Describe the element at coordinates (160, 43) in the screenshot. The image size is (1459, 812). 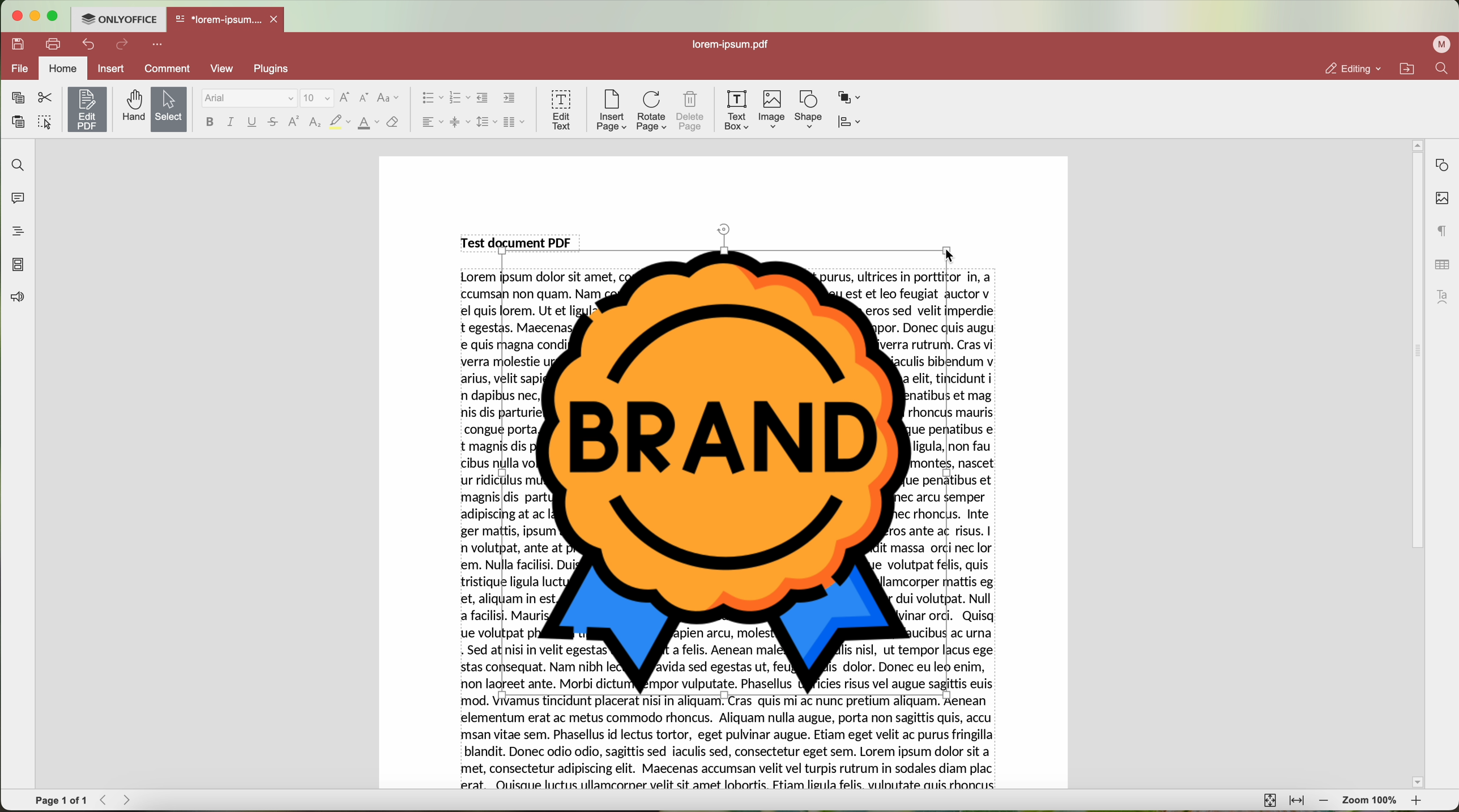
I see `more options` at that location.